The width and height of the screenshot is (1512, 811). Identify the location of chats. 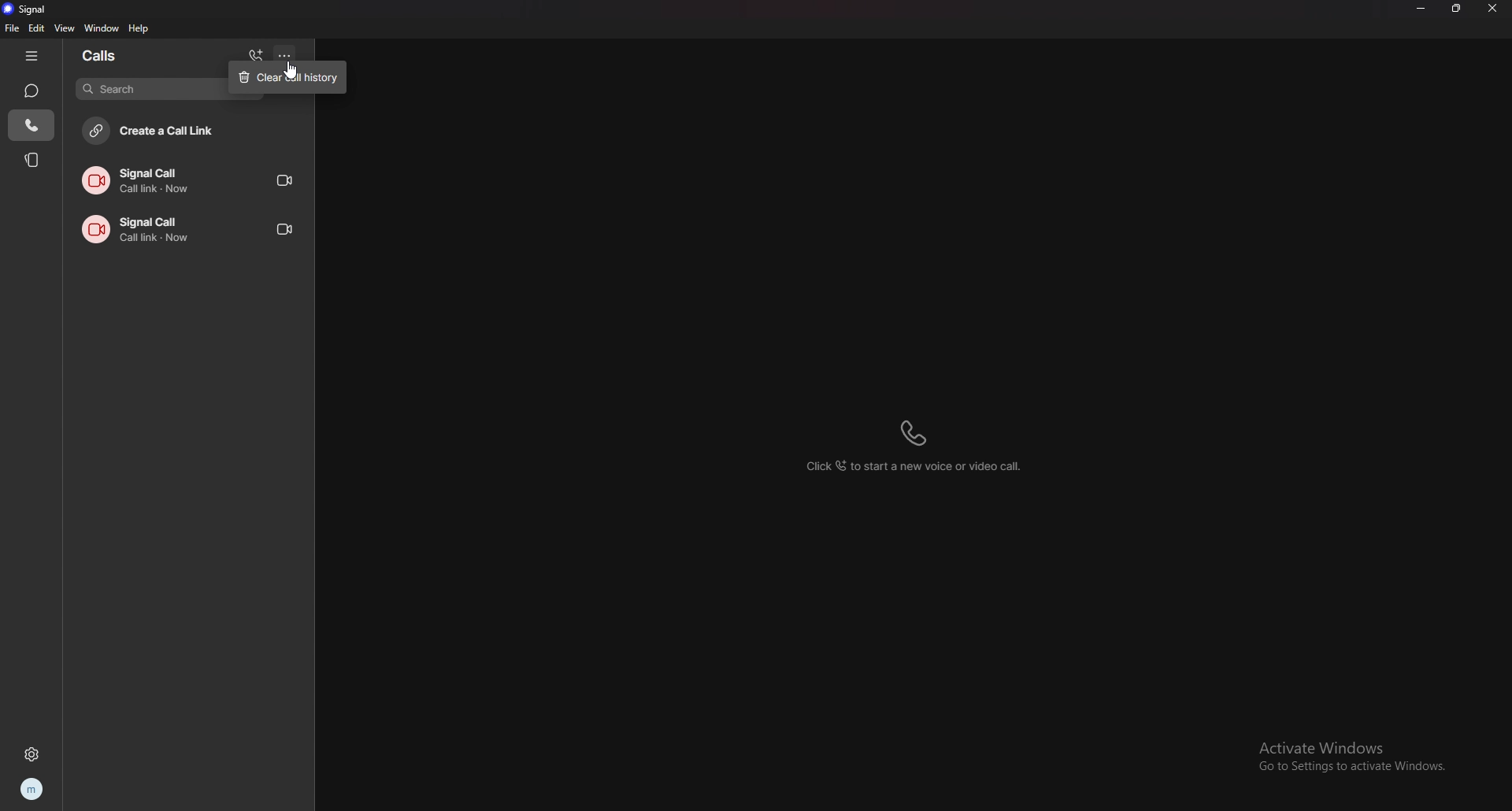
(32, 91).